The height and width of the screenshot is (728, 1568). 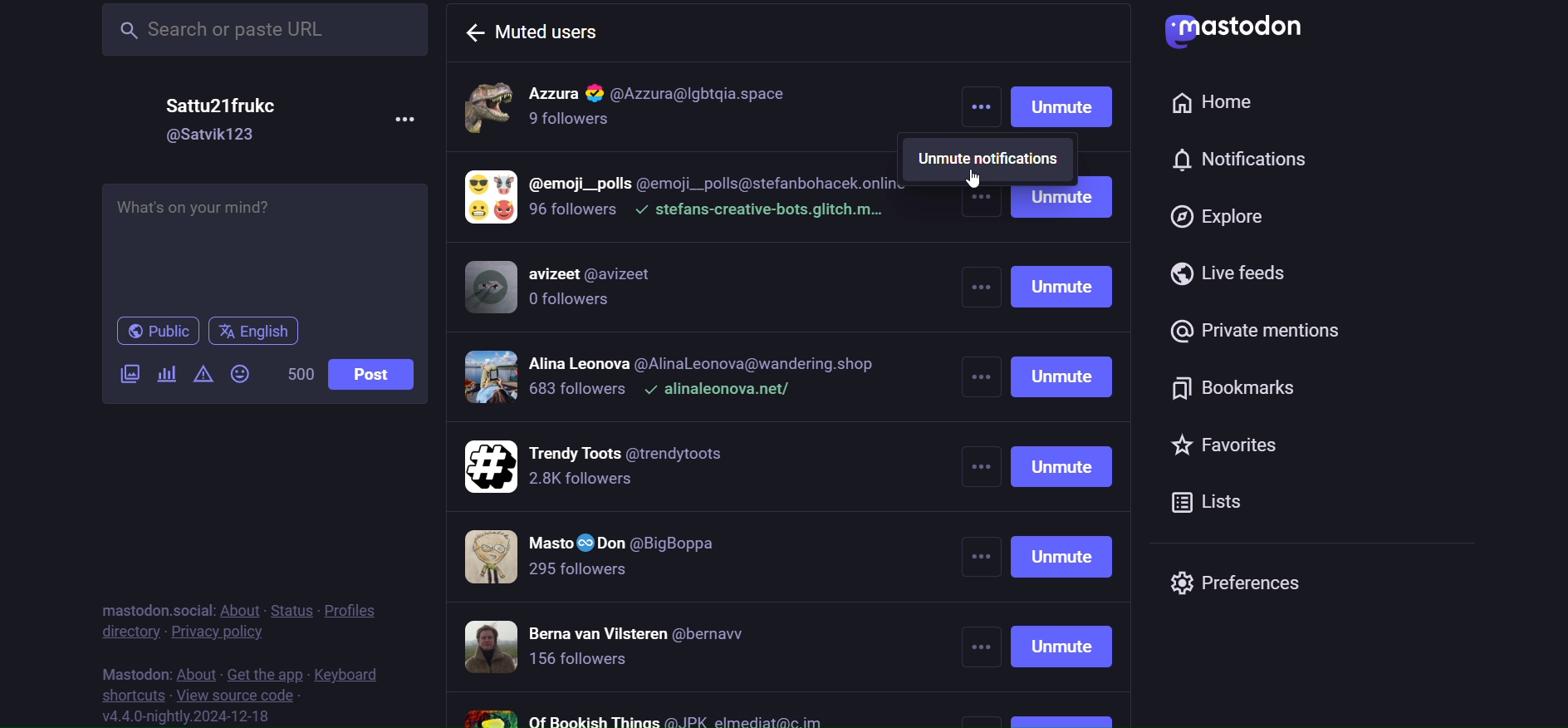 I want to click on content warning, so click(x=202, y=371).